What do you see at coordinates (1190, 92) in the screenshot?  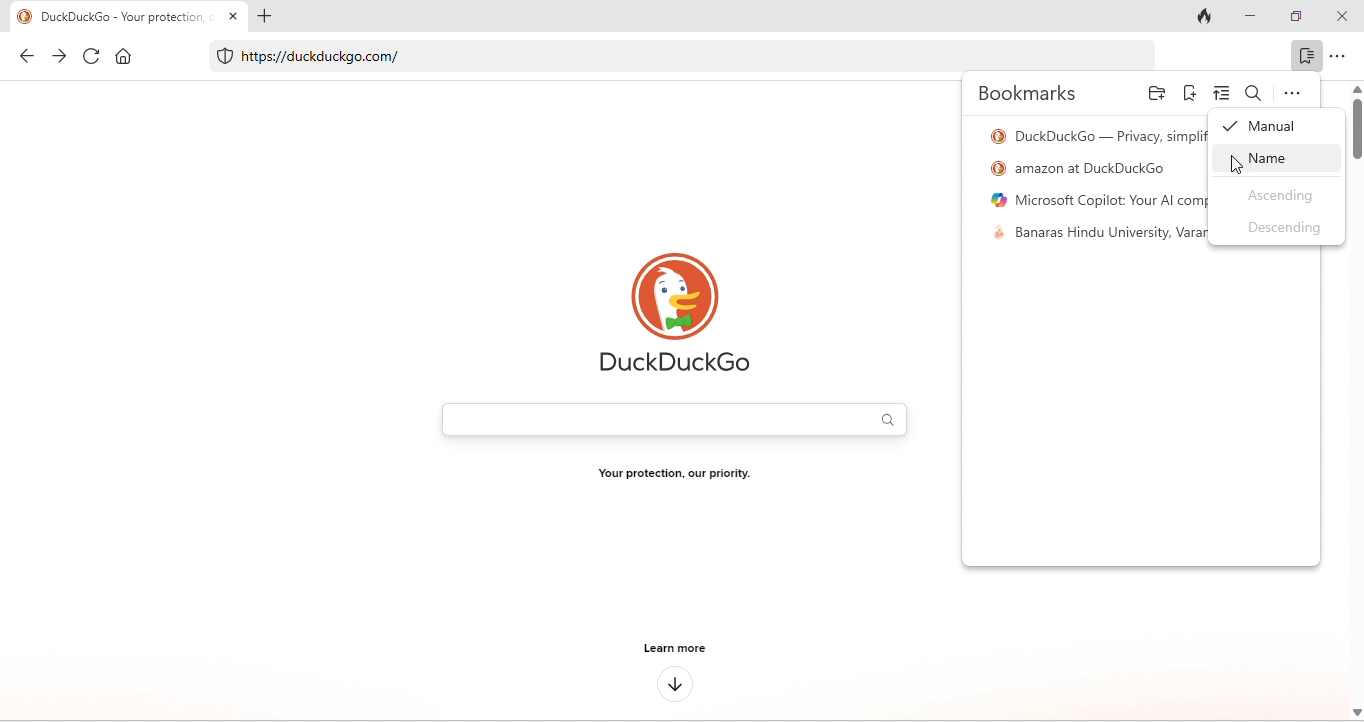 I see `add bookmark` at bounding box center [1190, 92].